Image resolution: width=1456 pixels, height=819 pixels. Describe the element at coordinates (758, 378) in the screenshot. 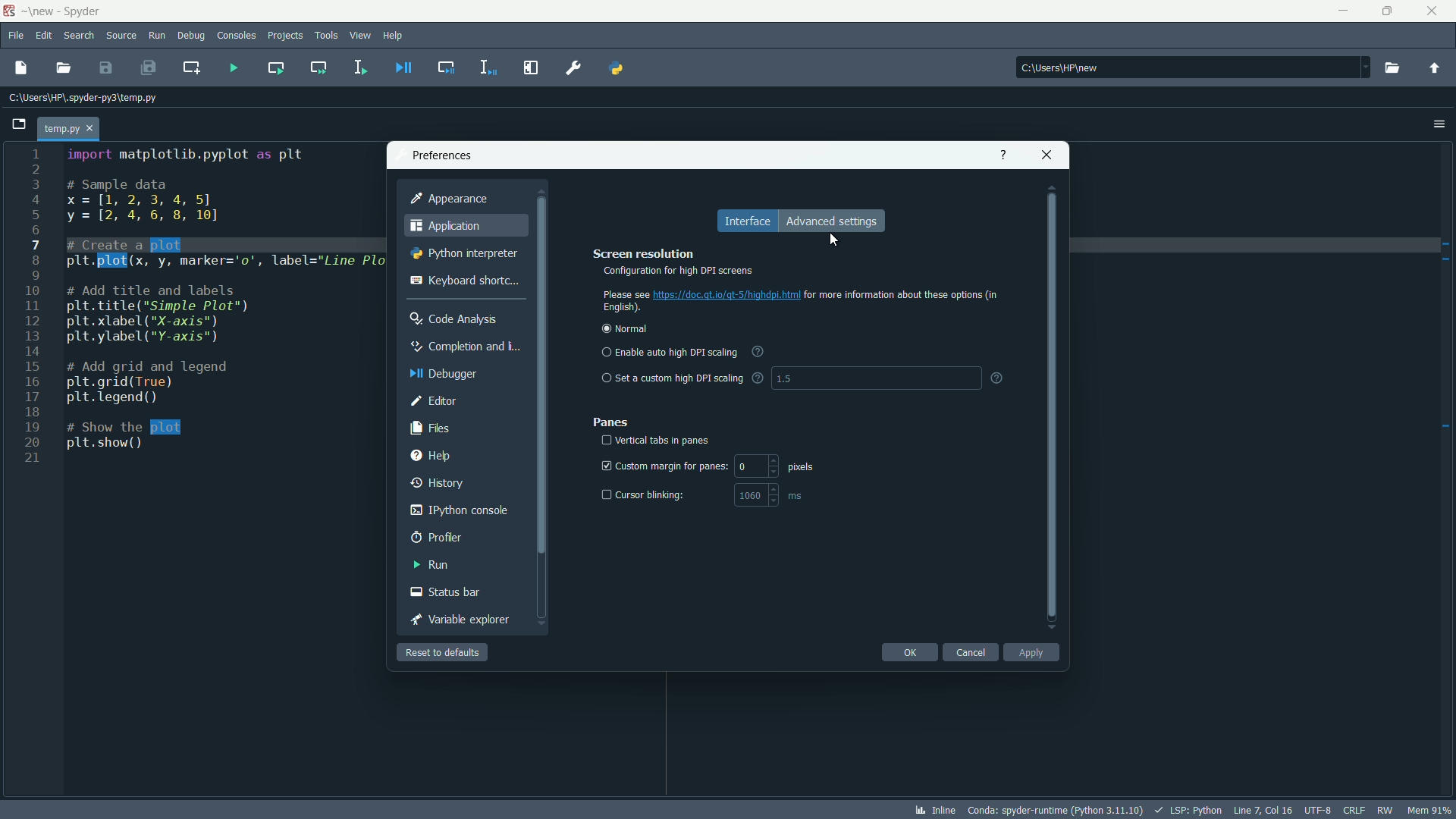

I see `more info` at that location.